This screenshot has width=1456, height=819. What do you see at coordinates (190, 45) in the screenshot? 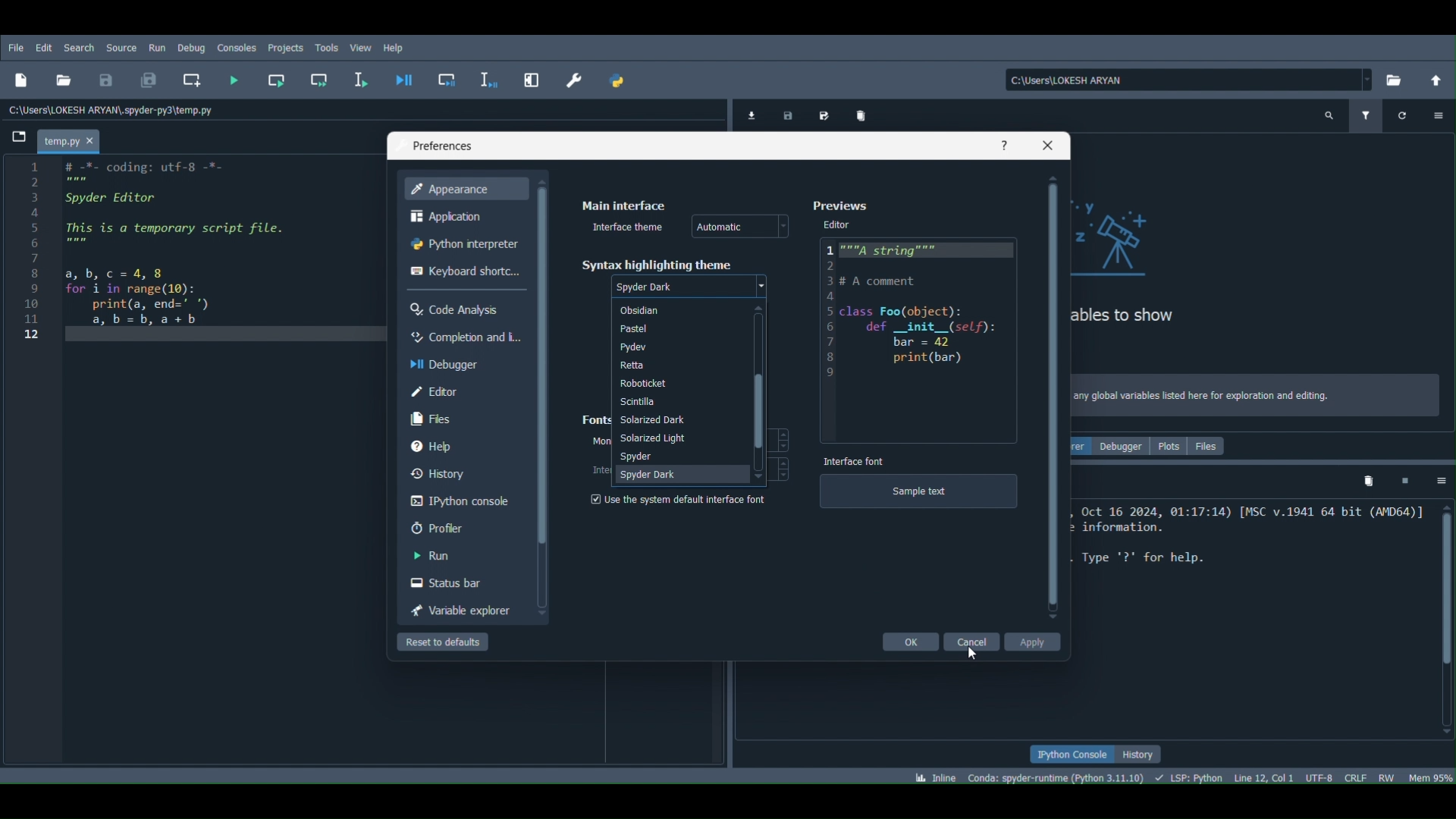
I see `Debug` at bounding box center [190, 45].